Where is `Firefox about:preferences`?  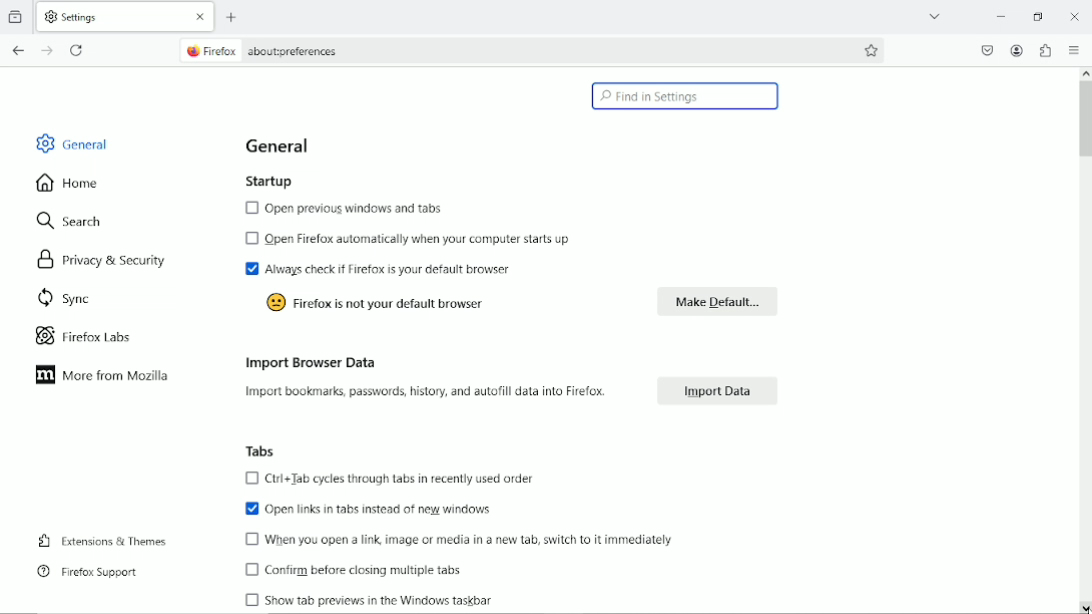 Firefox about:preferences is located at coordinates (264, 49).